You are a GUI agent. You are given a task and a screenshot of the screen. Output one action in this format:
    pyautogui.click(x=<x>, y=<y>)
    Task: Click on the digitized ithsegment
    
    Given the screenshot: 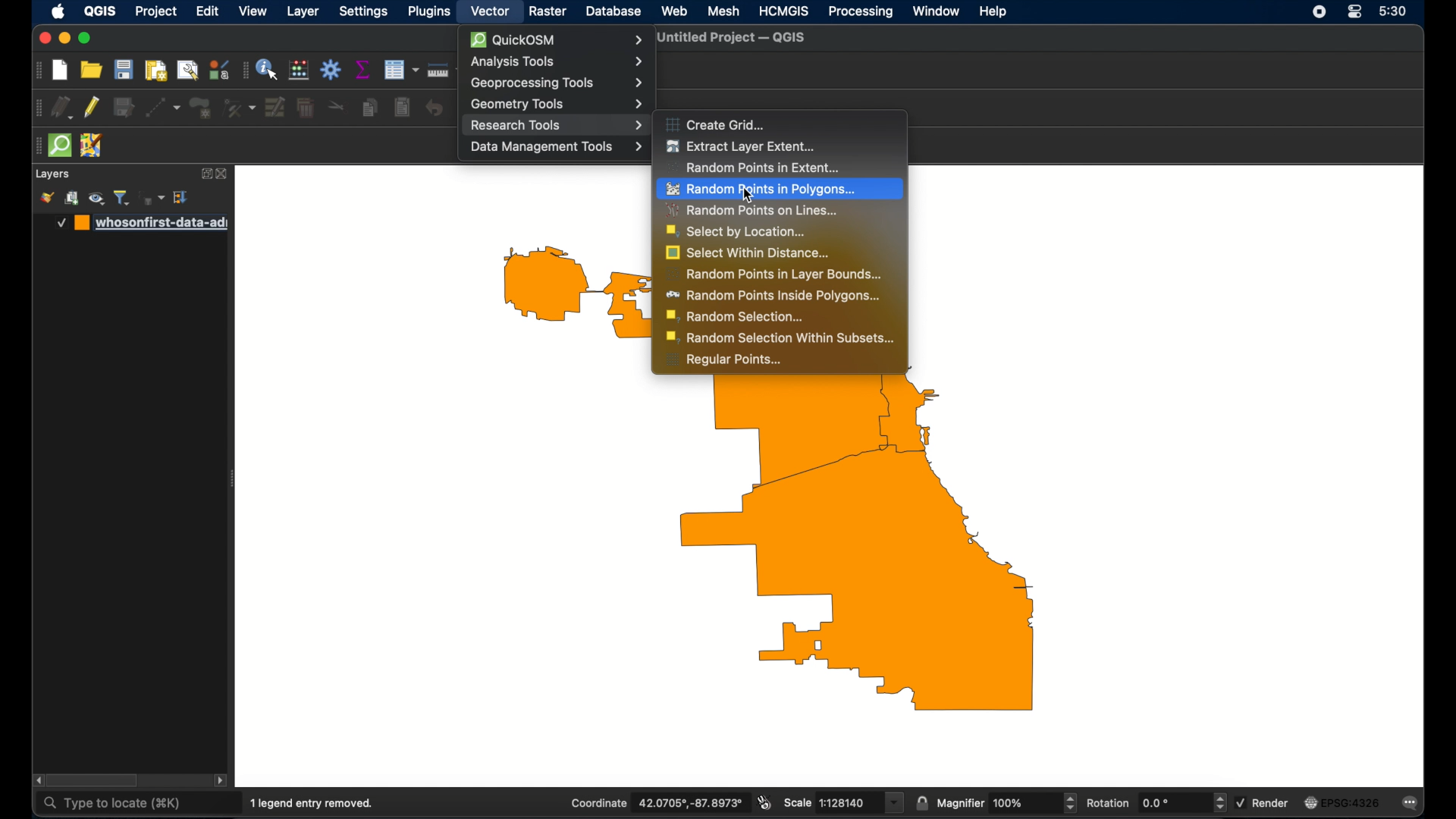 What is the action you would take?
    pyautogui.click(x=162, y=107)
    